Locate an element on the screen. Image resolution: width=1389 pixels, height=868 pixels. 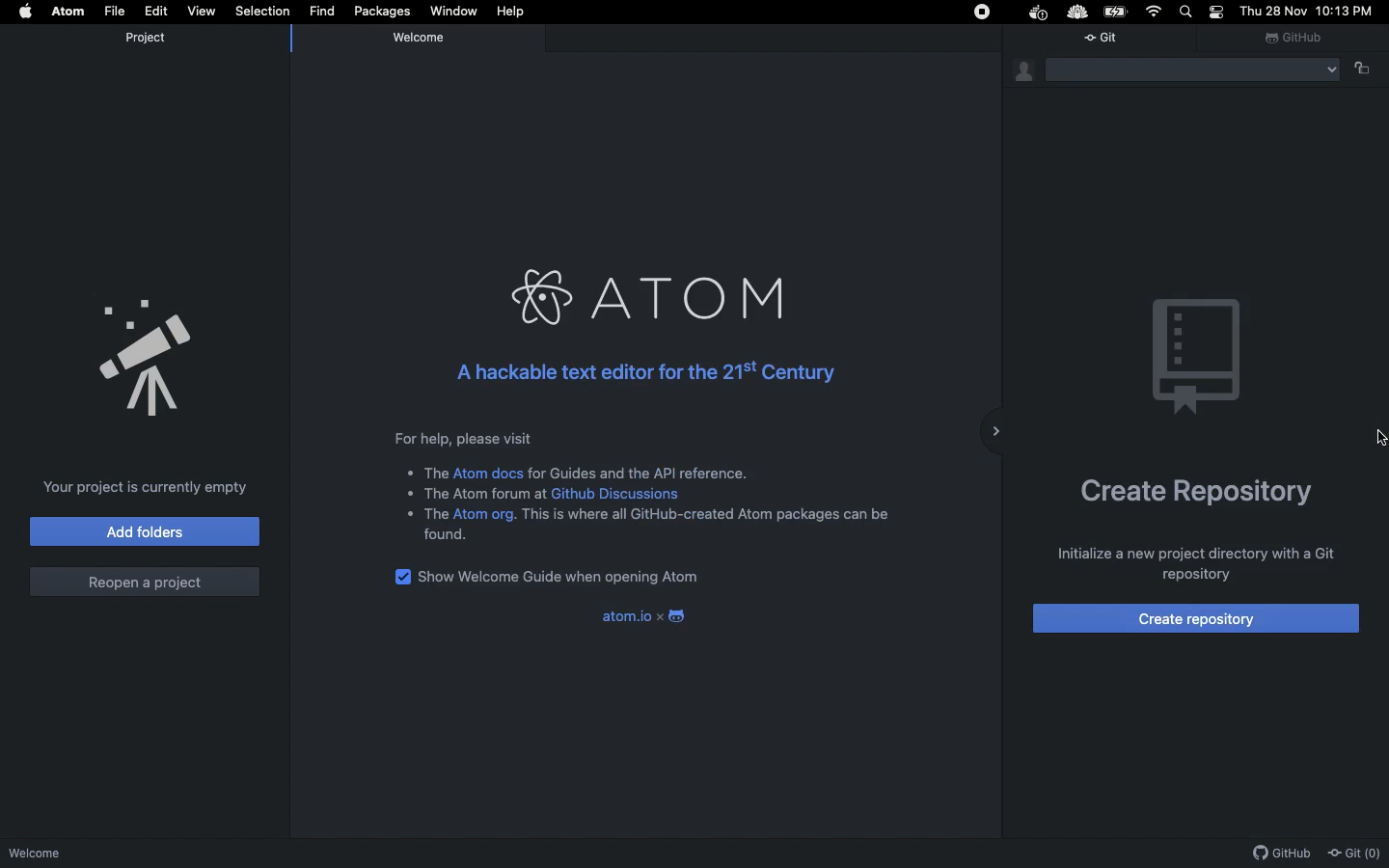
Create repository  is located at coordinates (1196, 617).